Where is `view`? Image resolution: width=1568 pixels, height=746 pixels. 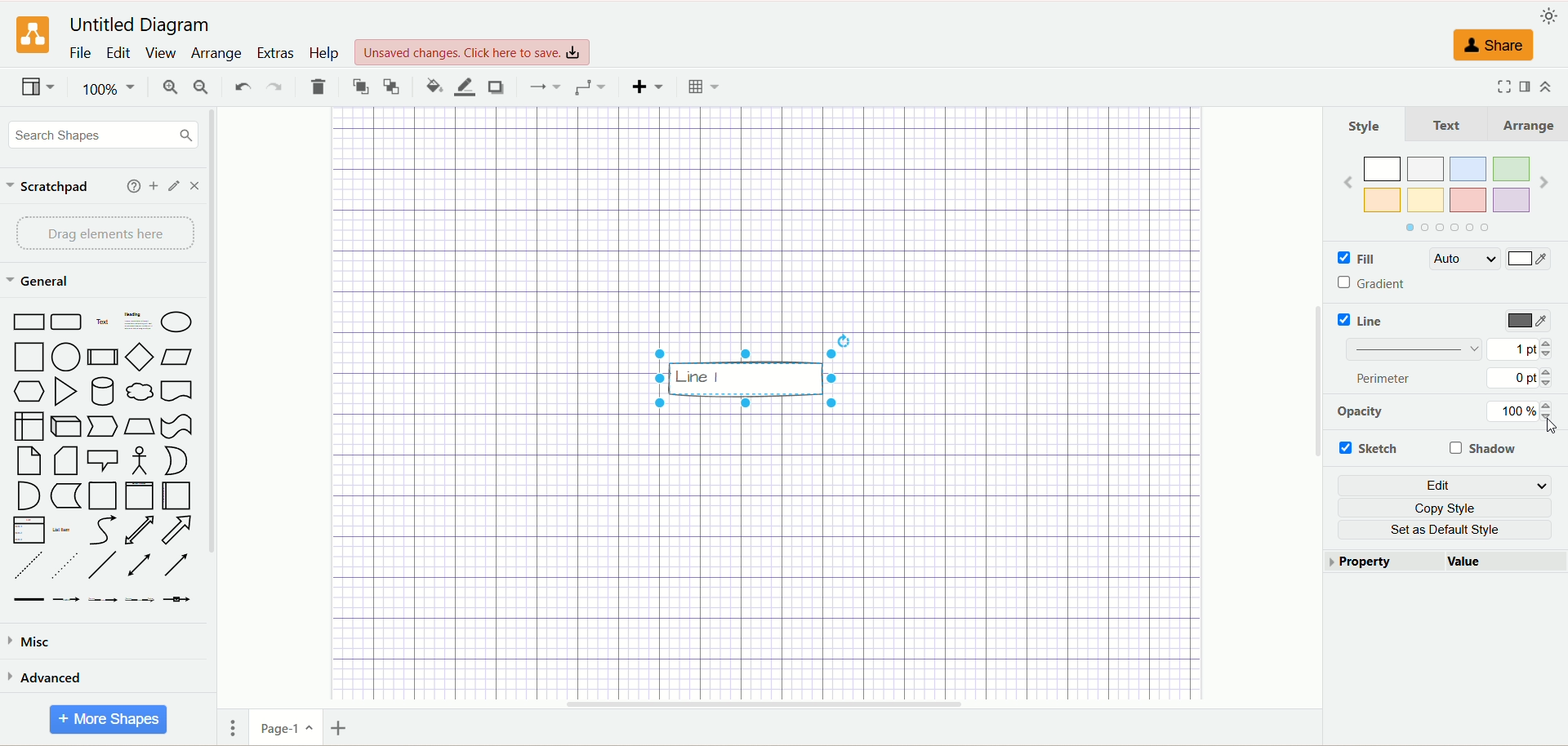
view is located at coordinates (37, 87).